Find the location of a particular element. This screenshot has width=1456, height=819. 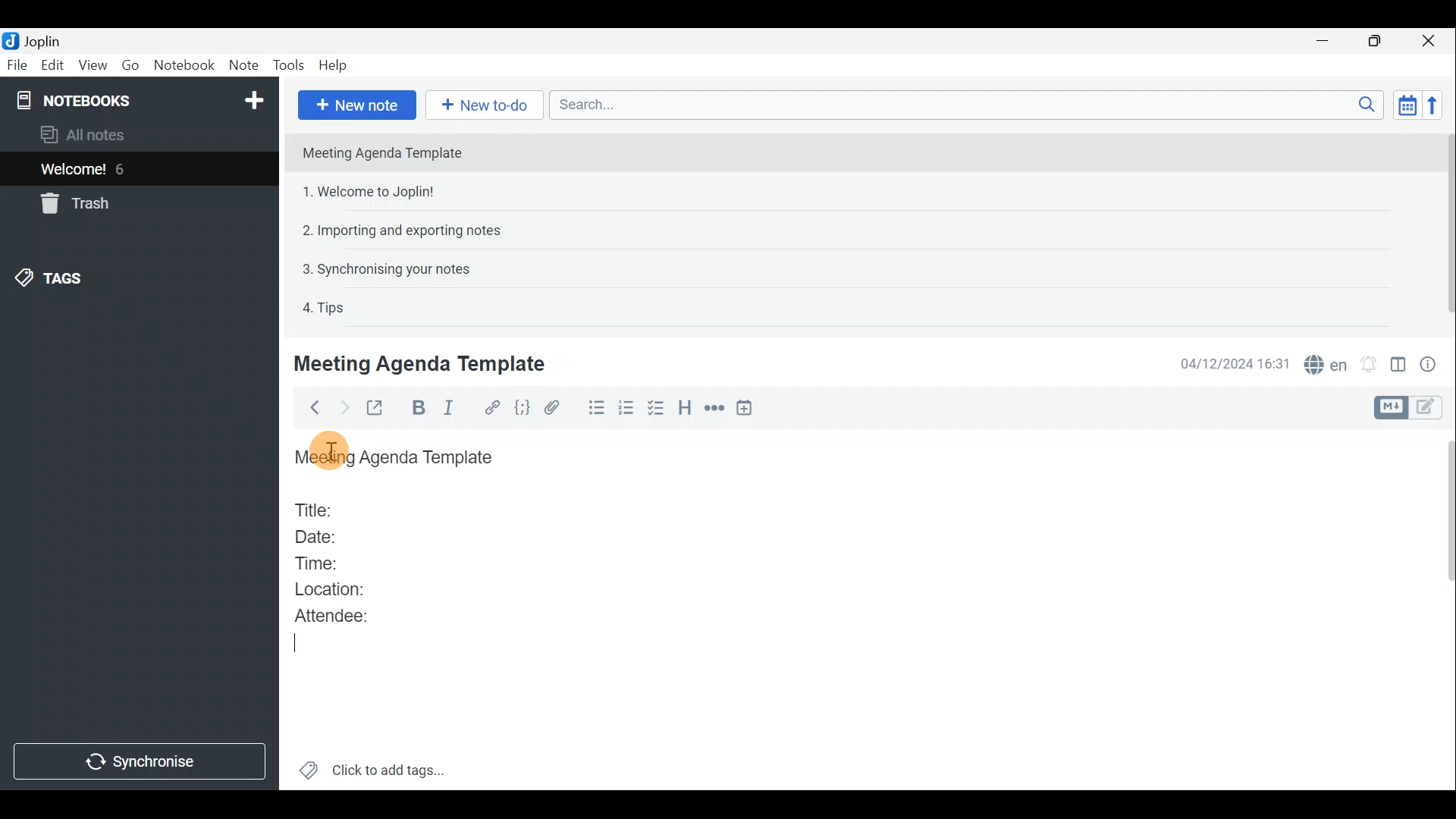

Forward is located at coordinates (342, 407).